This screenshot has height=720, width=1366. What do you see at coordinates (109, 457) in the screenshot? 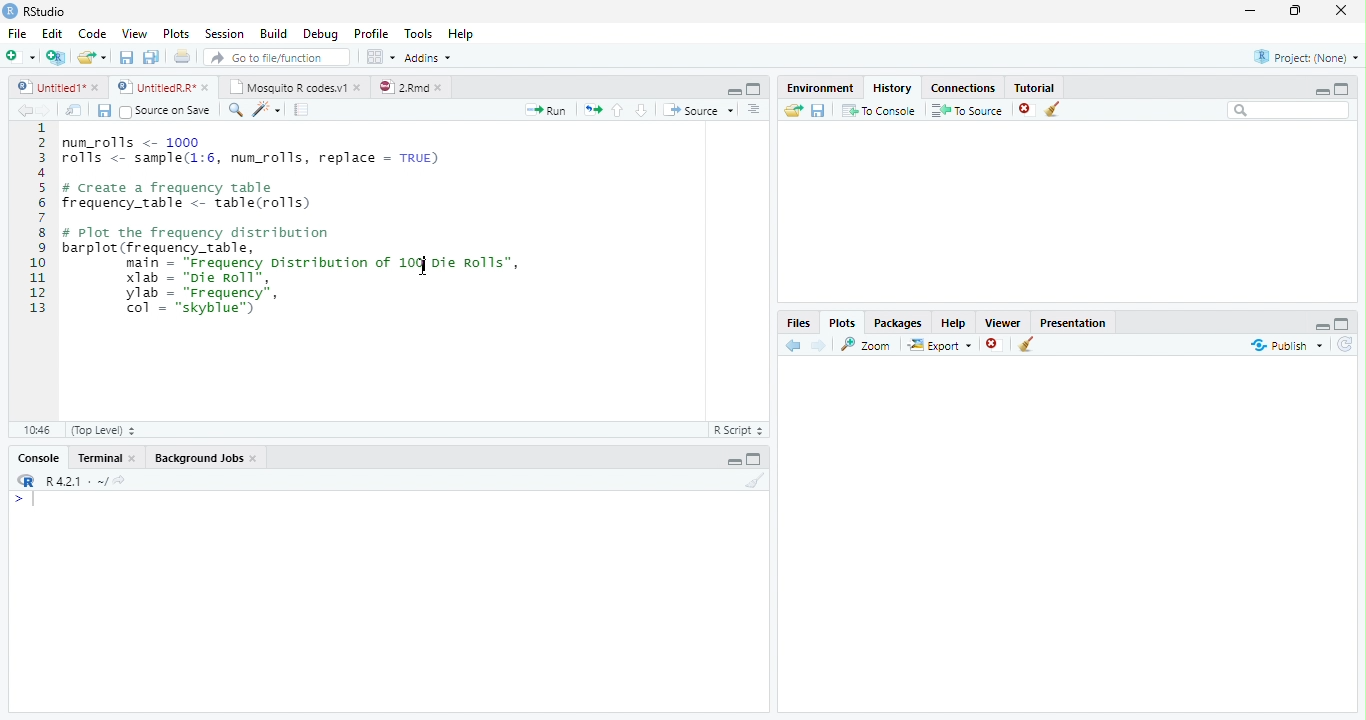
I see `Terminal` at bounding box center [109, 457].